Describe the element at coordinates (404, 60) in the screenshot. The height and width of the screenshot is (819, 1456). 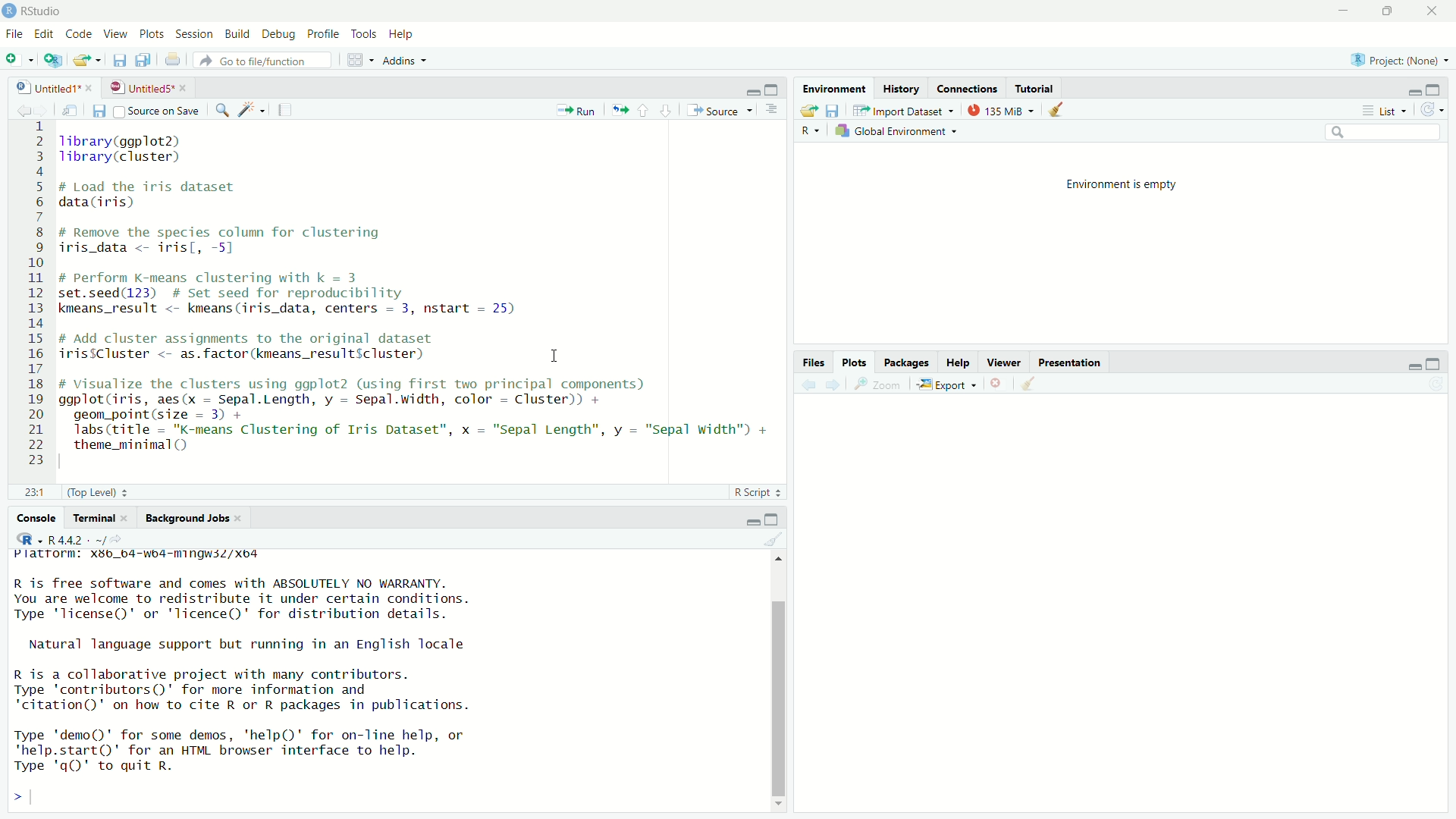
I see `addins` at that location.